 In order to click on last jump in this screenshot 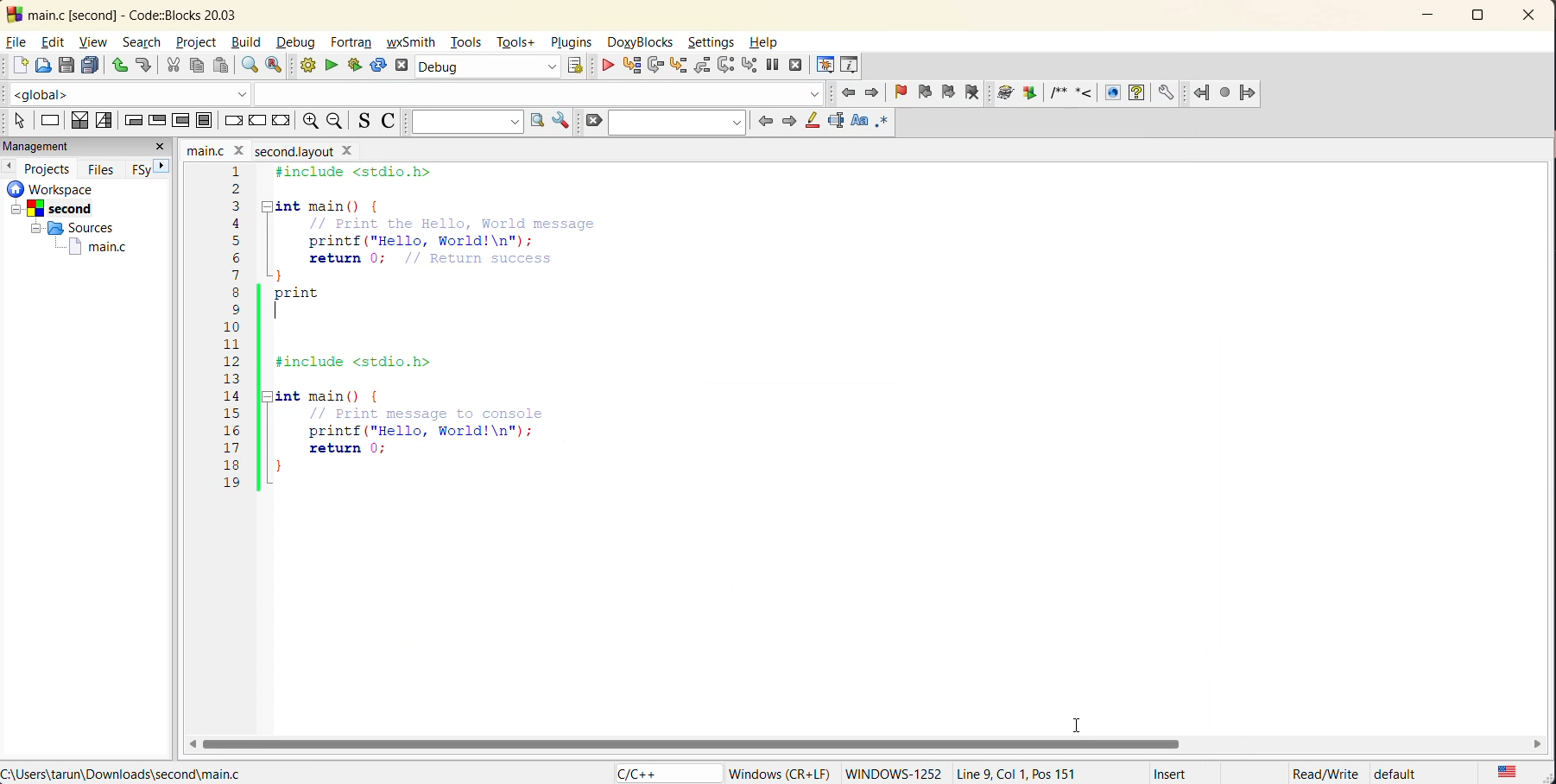, I will do `click(1224, 93)`.